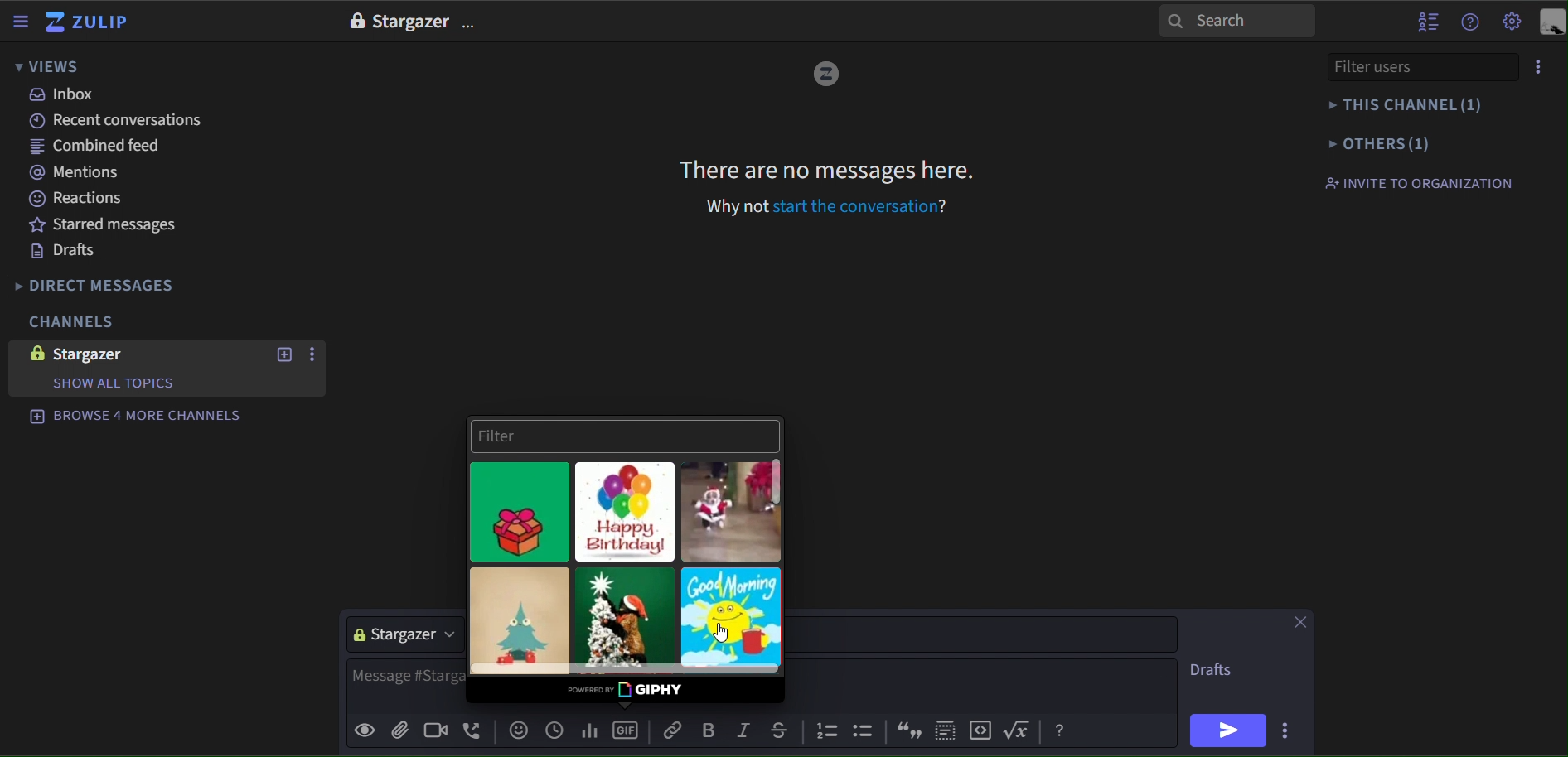 This screenshot has height=757, width=1568. I want to click on there are no message here., so click(828, 169).